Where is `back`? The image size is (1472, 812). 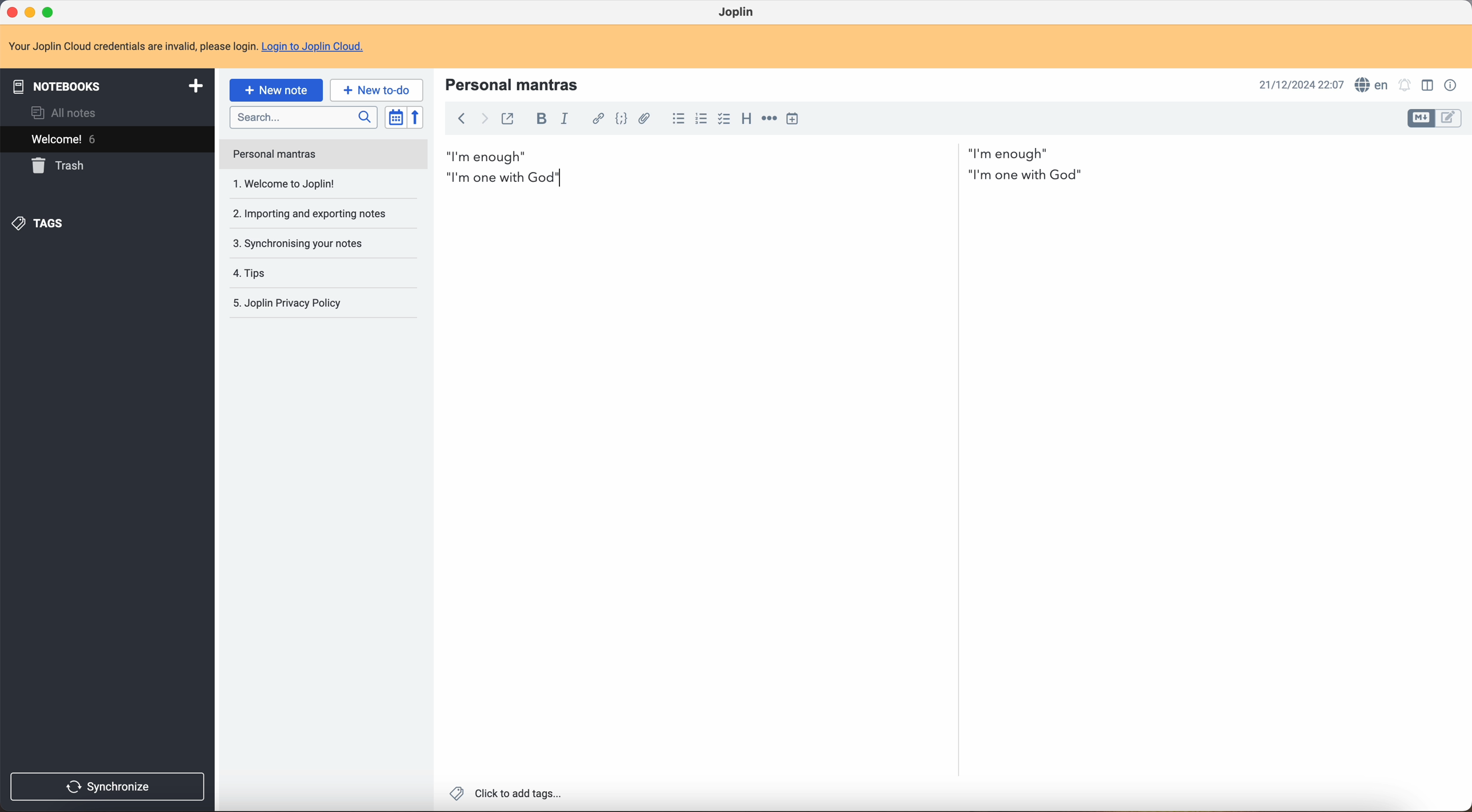
back is located at coordinates (461, 120).